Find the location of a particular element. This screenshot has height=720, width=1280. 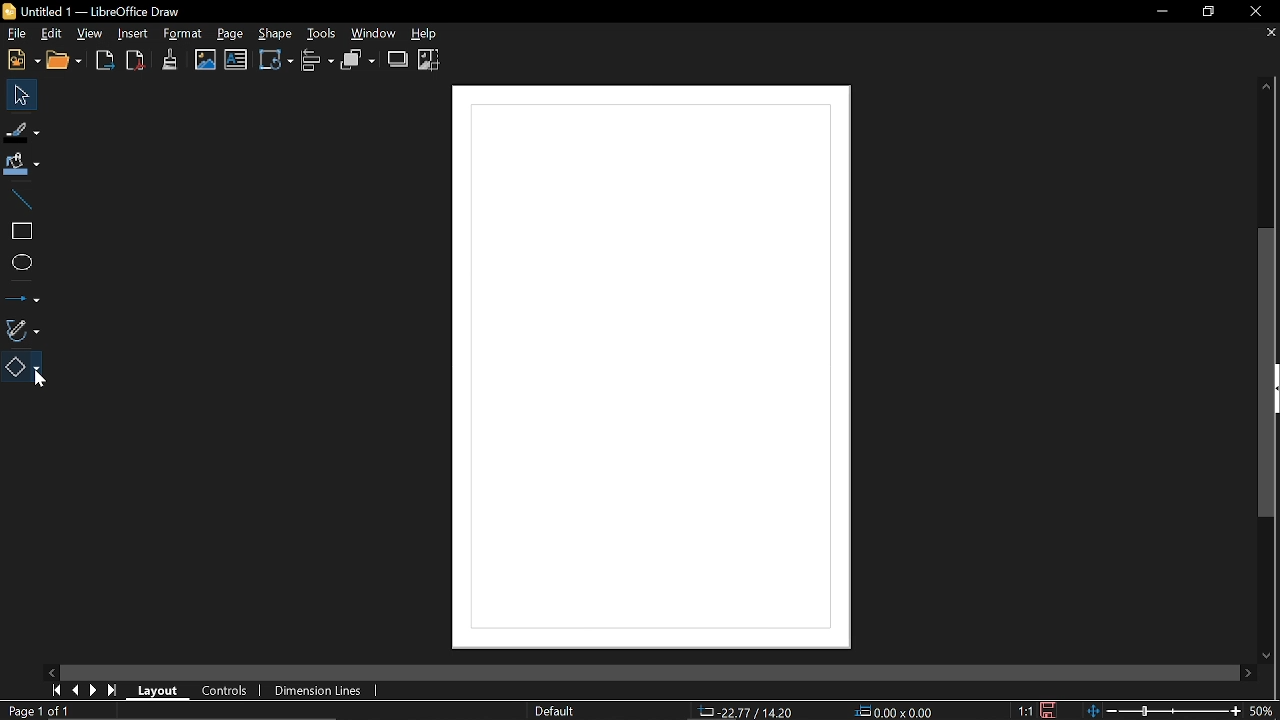

Tools is located at coordinates (319, 32).